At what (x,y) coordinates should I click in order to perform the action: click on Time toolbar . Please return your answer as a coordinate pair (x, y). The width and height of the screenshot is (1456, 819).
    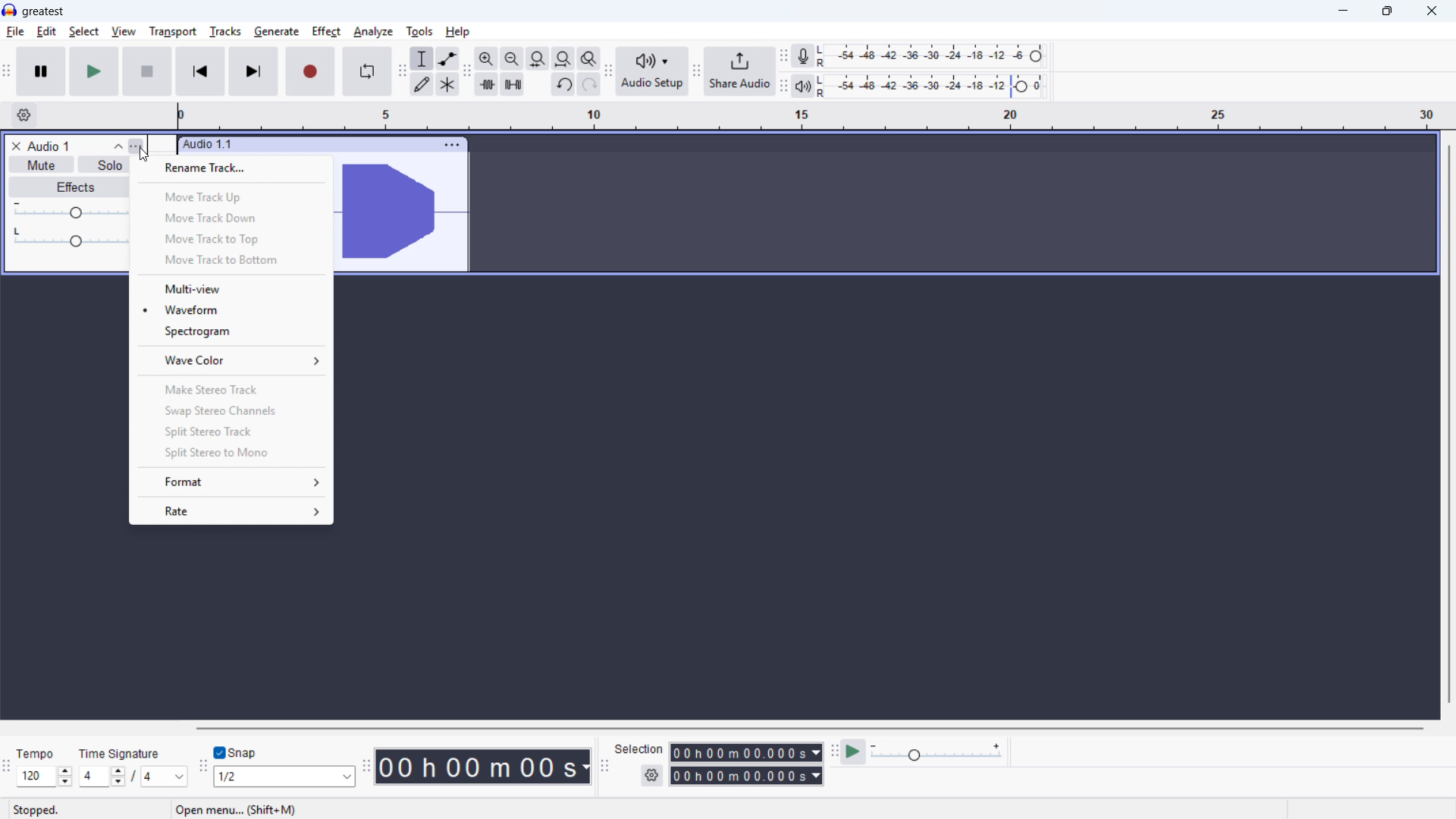
    Looking at the image, I should click on (366, 770).